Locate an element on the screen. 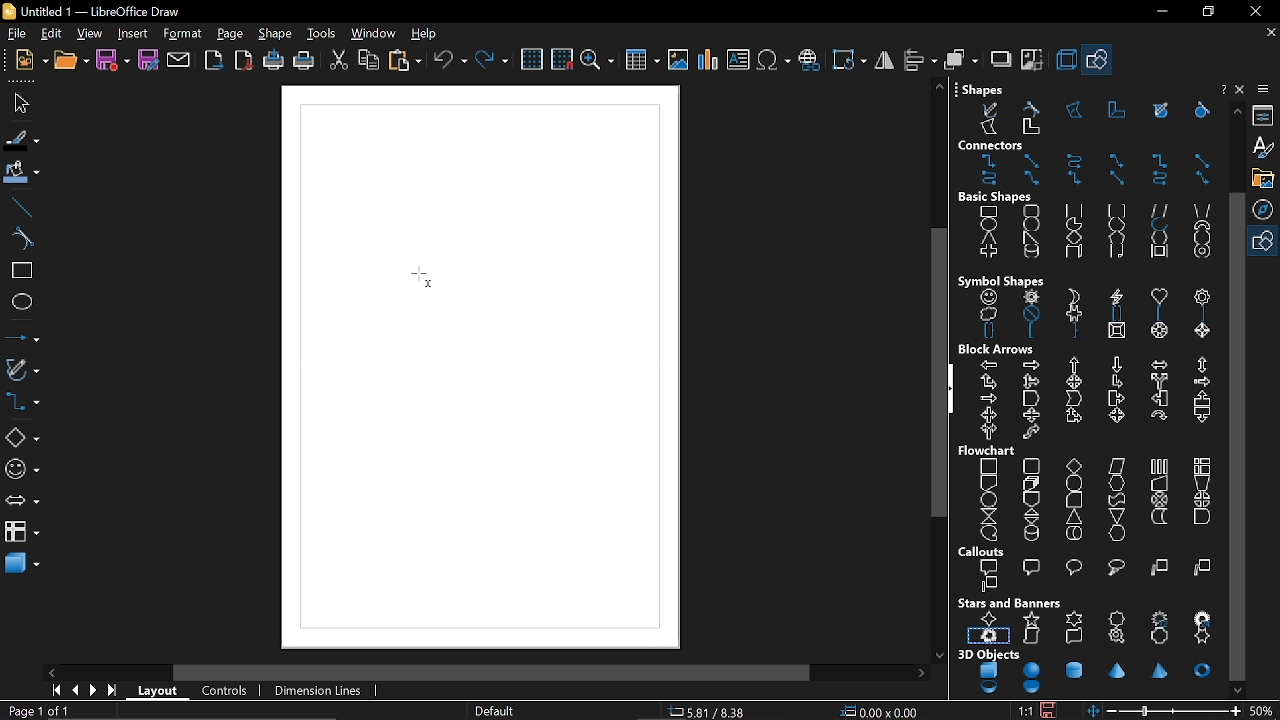 The height and width of the screenshot is (720, 1280). next page is located at coordinates (96, 691).